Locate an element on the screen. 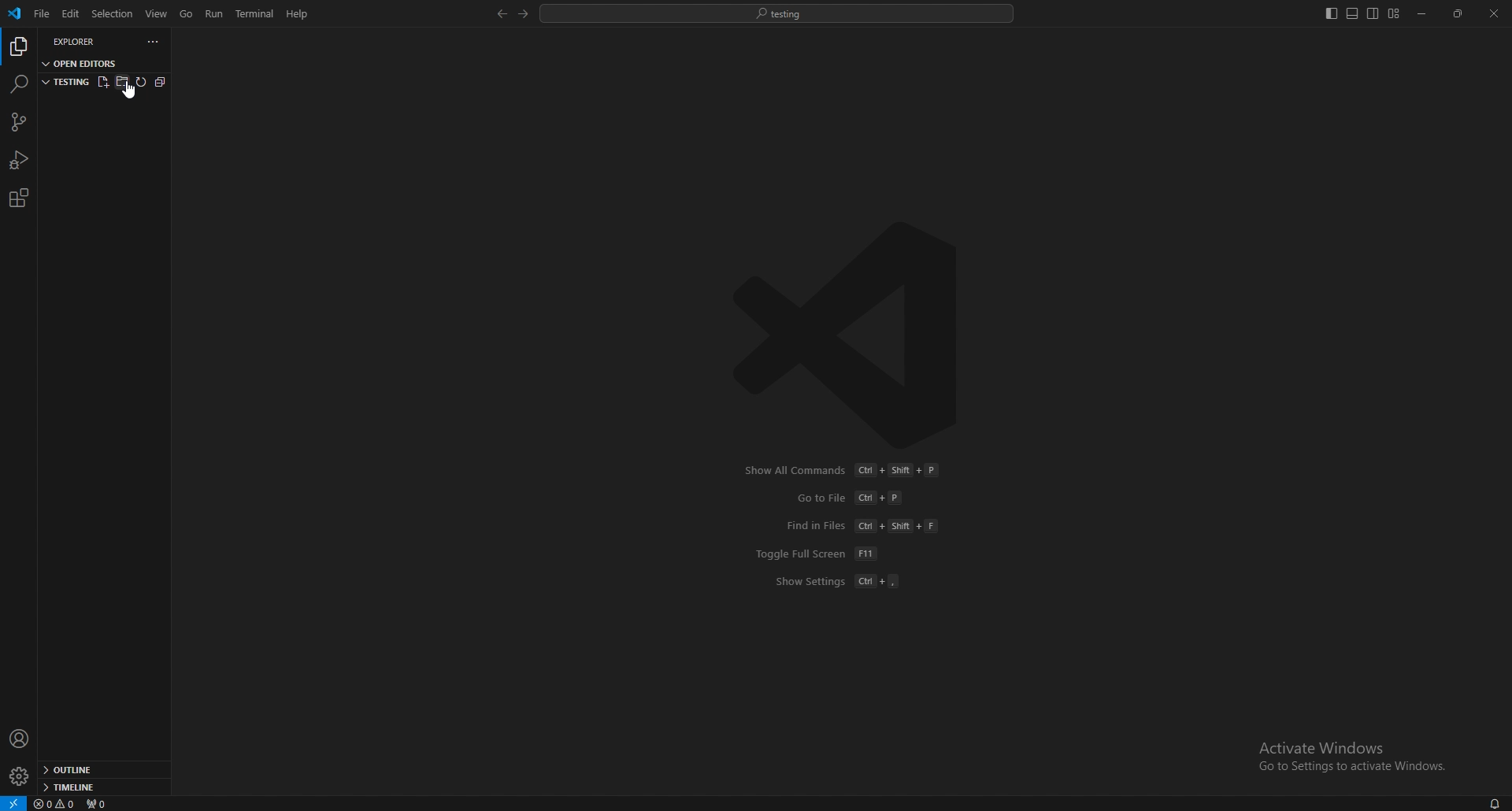 The image size is (1512, 811). run is located at coordinates (216, 13).